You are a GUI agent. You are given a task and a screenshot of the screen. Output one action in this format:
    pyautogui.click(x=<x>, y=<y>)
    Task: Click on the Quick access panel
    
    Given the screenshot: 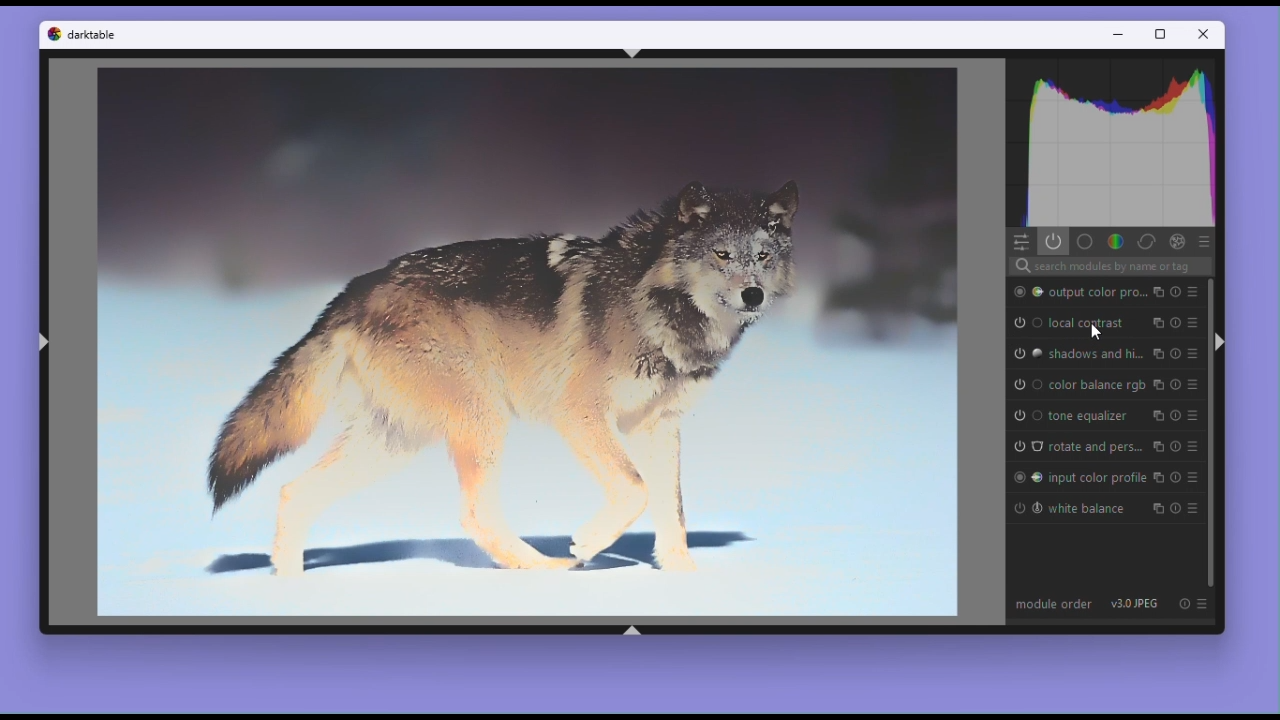 What is the action you would take?
    pyautogui.click(x=1022, y=242)
    